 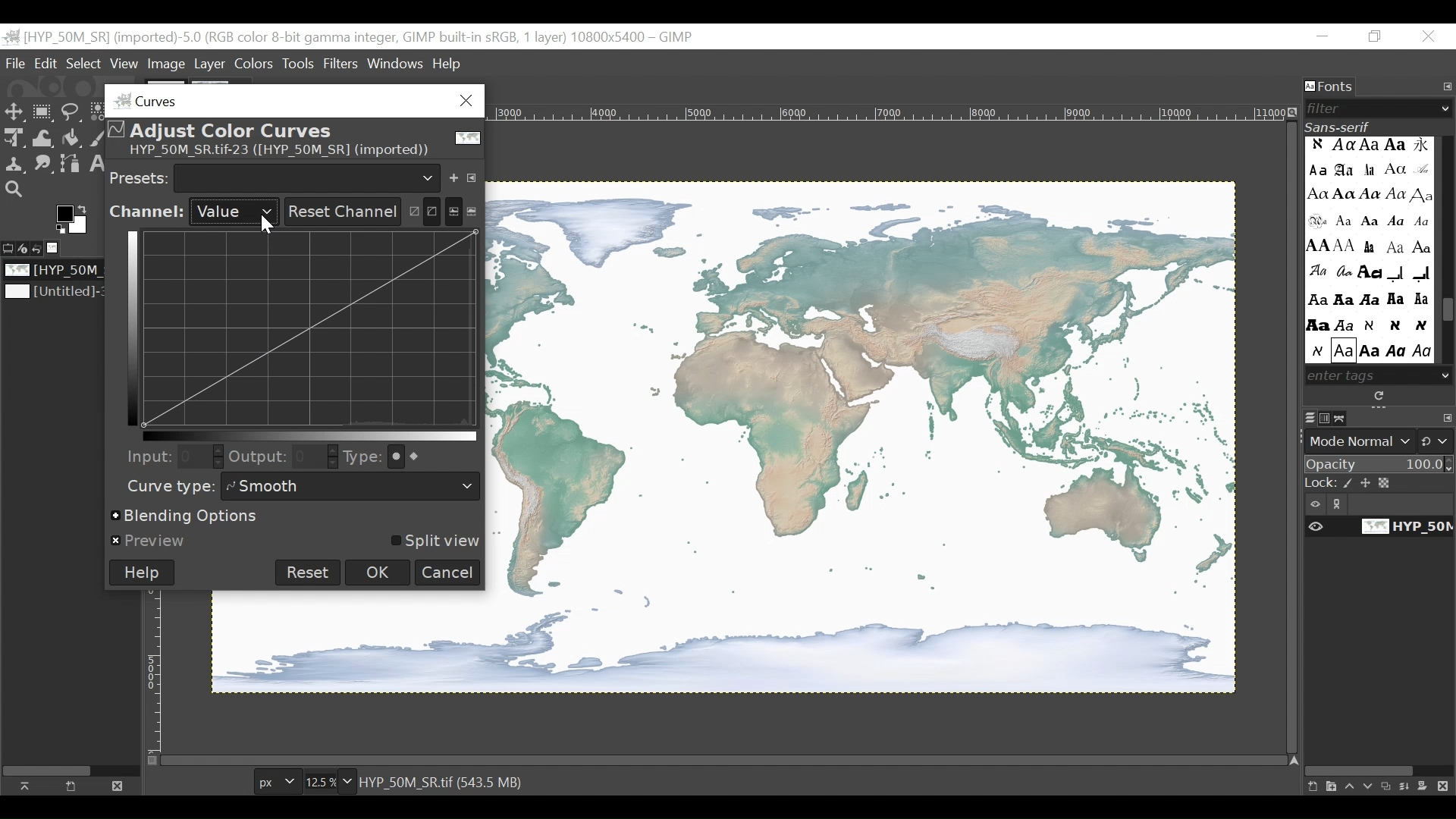 What do you see at coordinates (313, 328) in the screenshot?
I see `Histogram Display` at bounding box center [313, 328].